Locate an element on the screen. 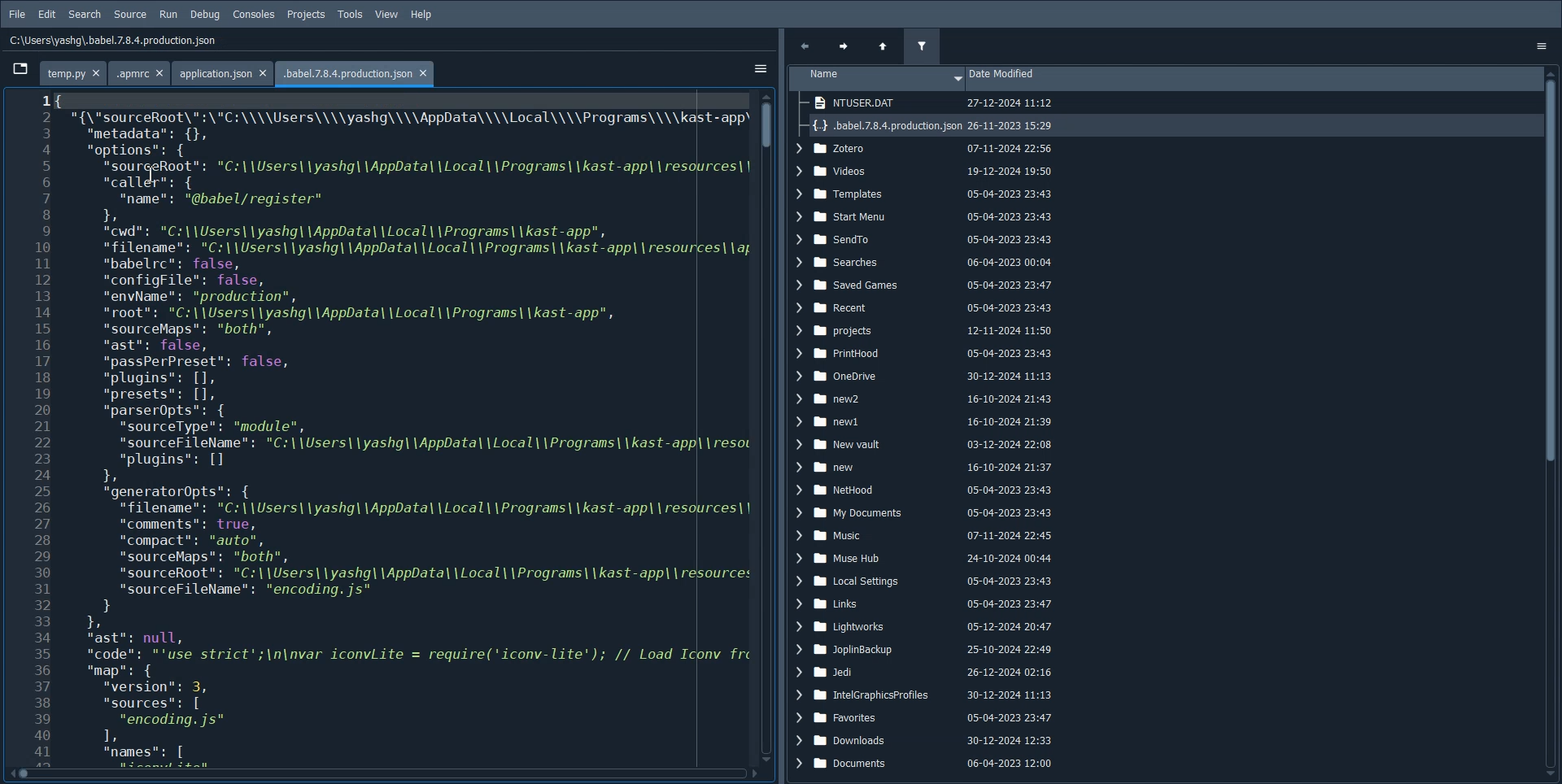  Source is located at coordinates (130, 14).